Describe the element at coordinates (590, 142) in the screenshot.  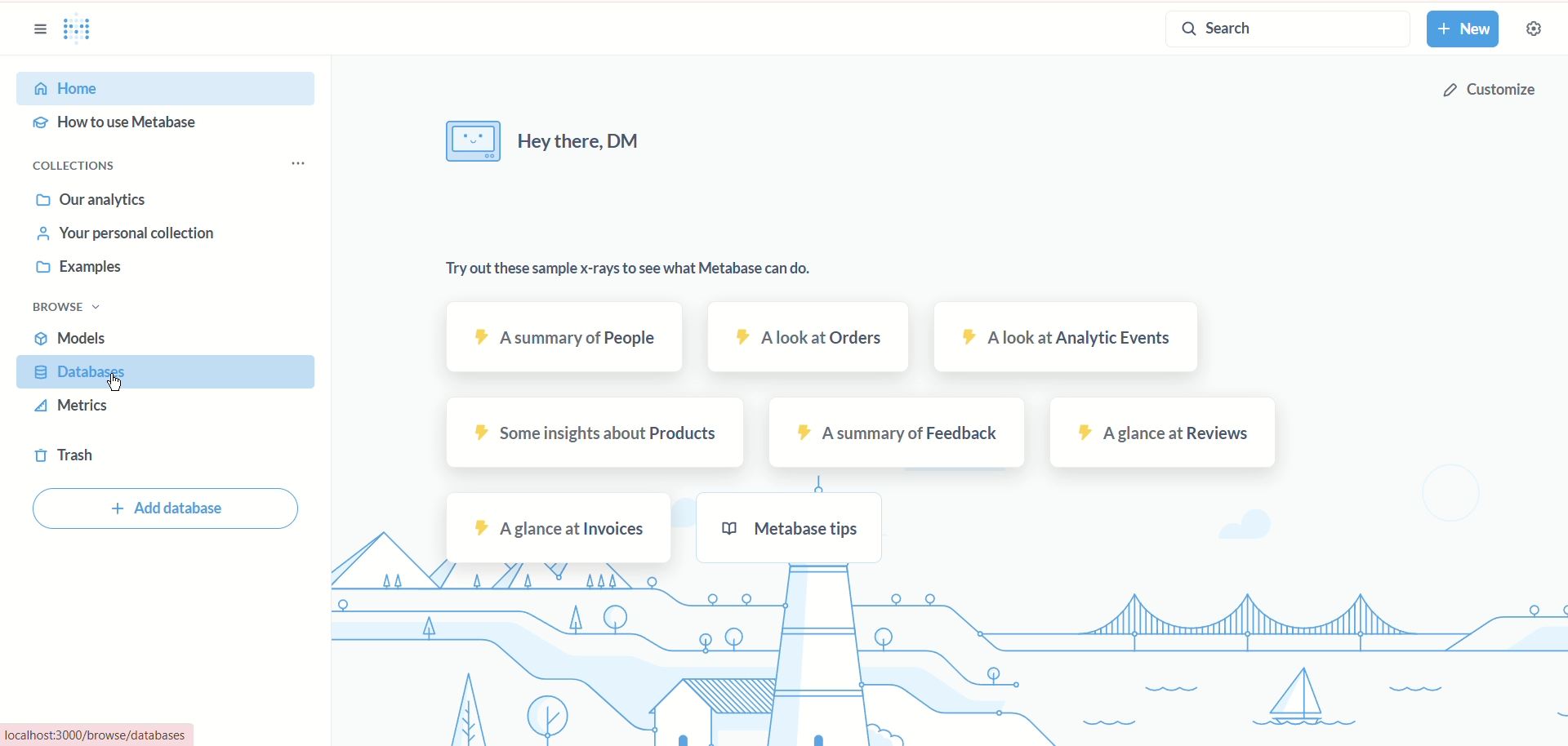
I see `hey there, DM` at that location.